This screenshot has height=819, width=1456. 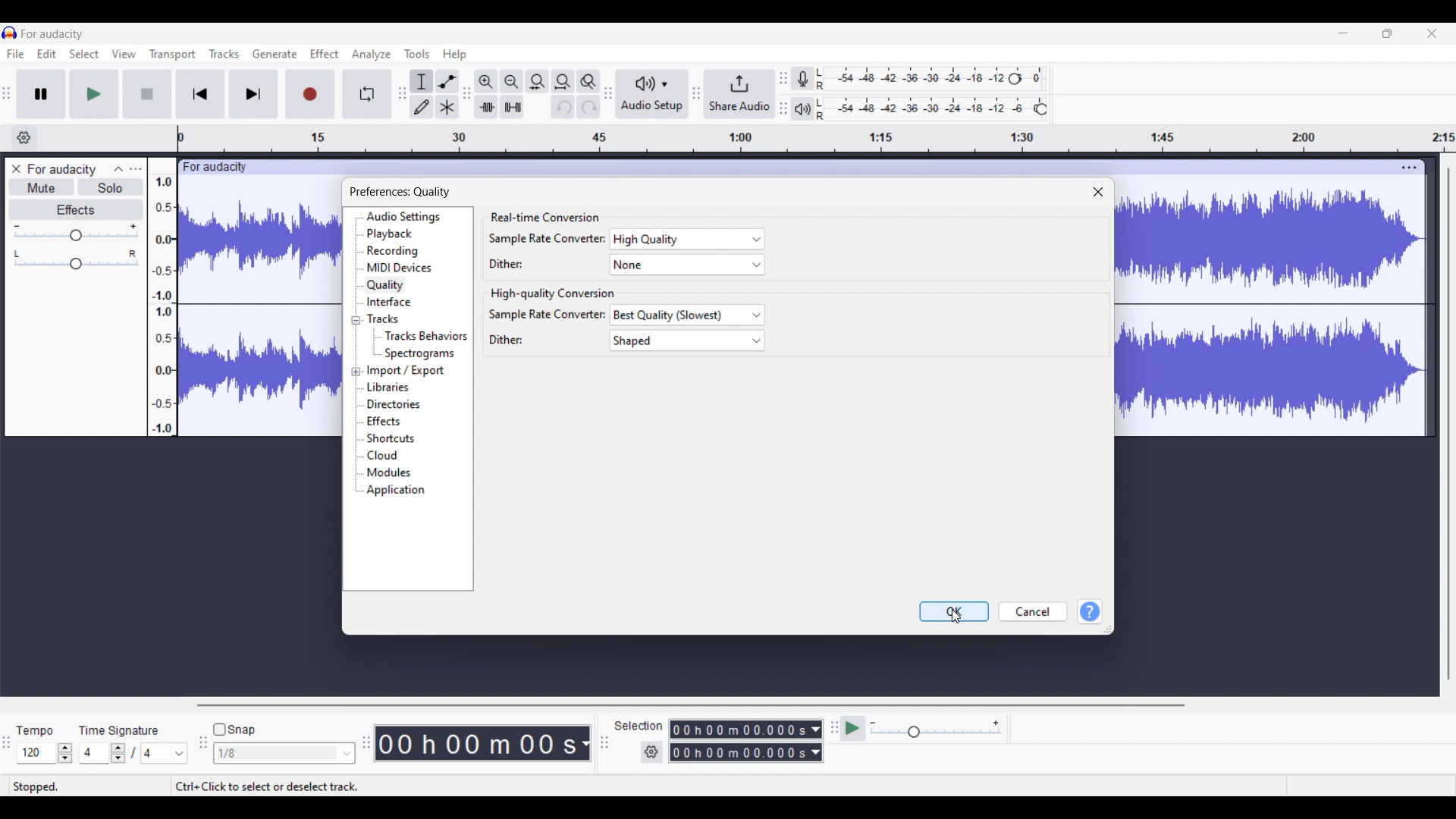 What do you see at coordinates (936, 729) in the screenshot?
I see `Scale to change playback speed` at bounding box center [936, 729].